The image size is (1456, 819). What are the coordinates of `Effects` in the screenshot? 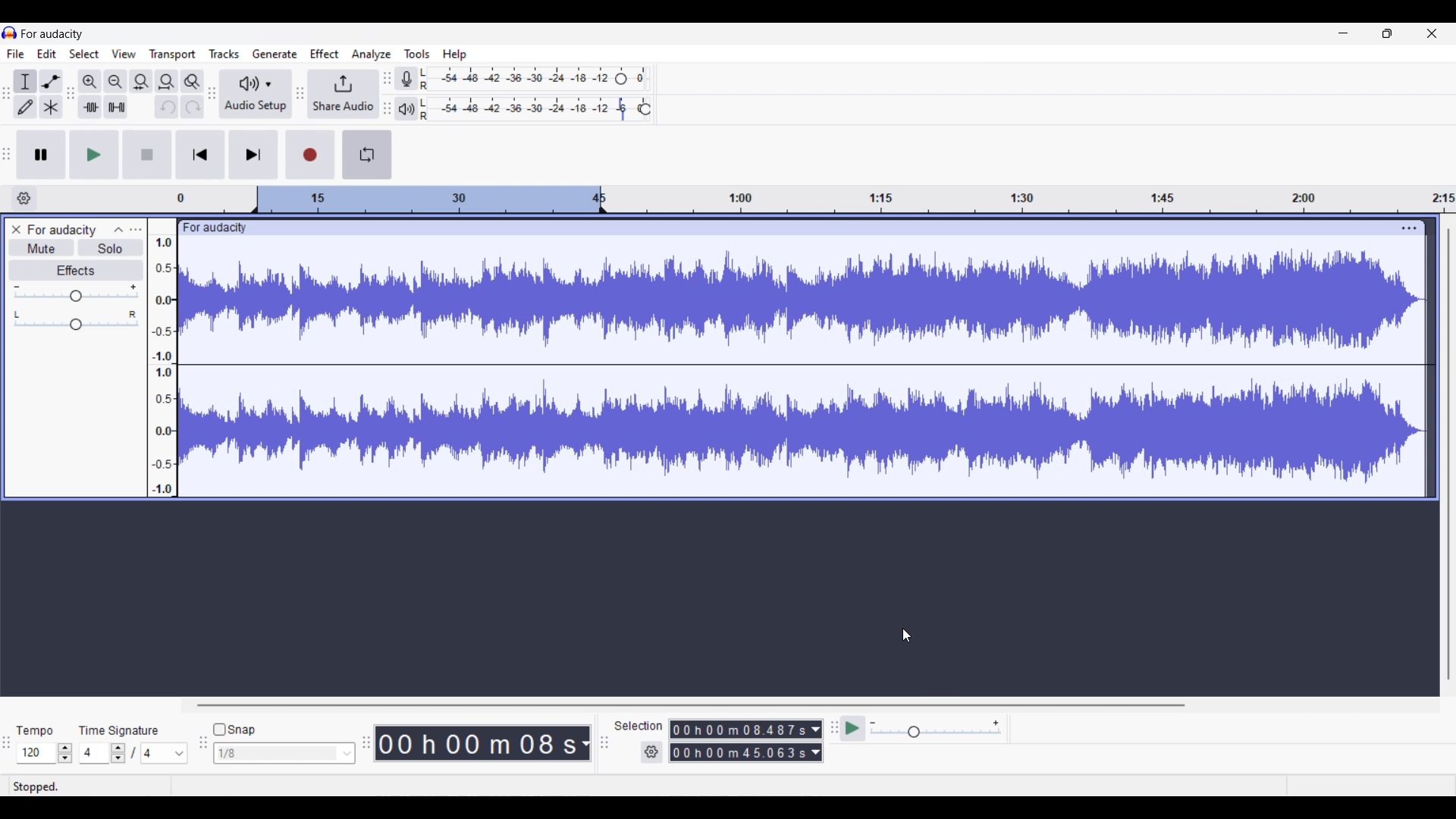 It's located at (77, 271).